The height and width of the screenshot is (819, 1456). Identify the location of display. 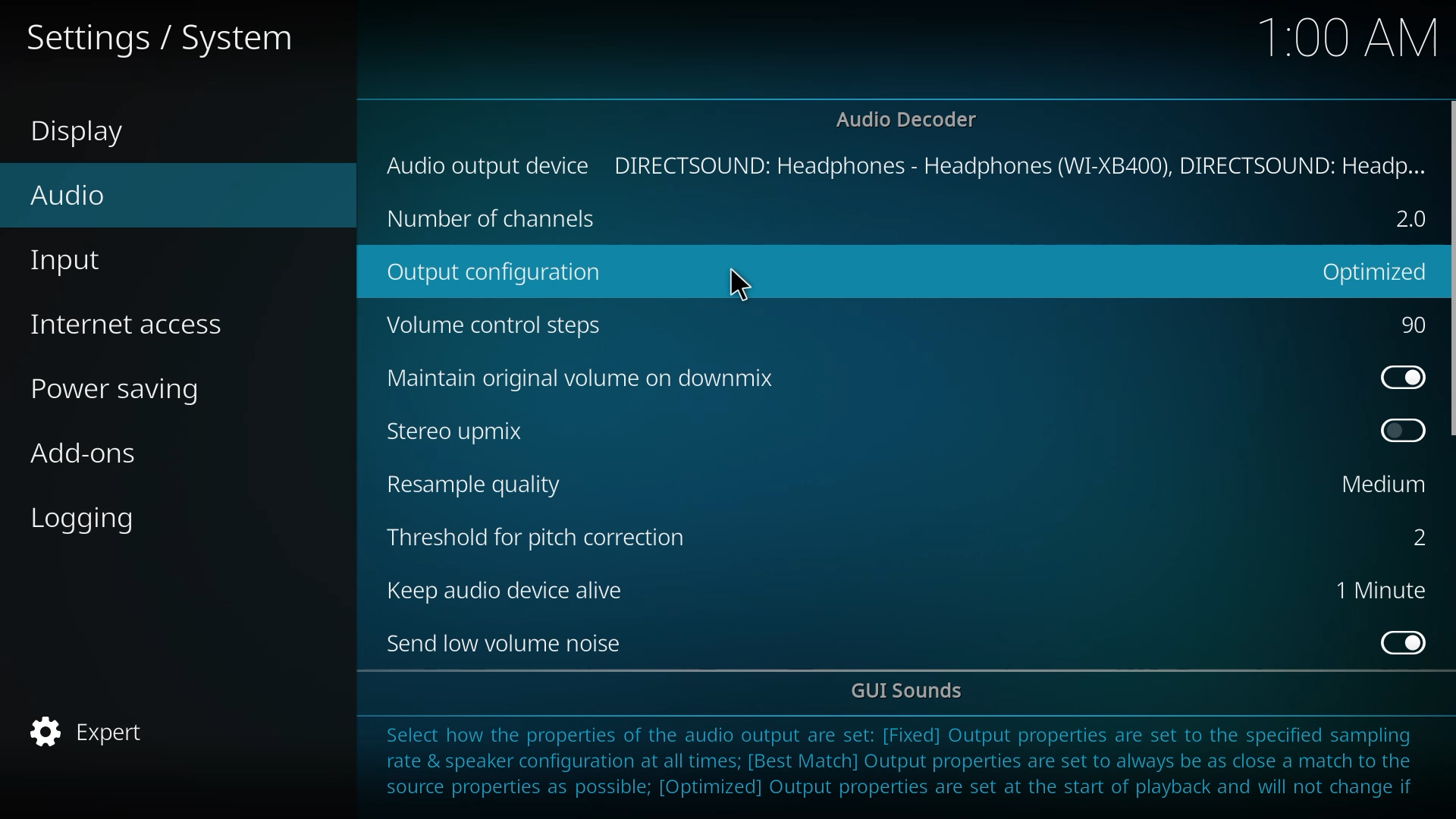
(85, 130).